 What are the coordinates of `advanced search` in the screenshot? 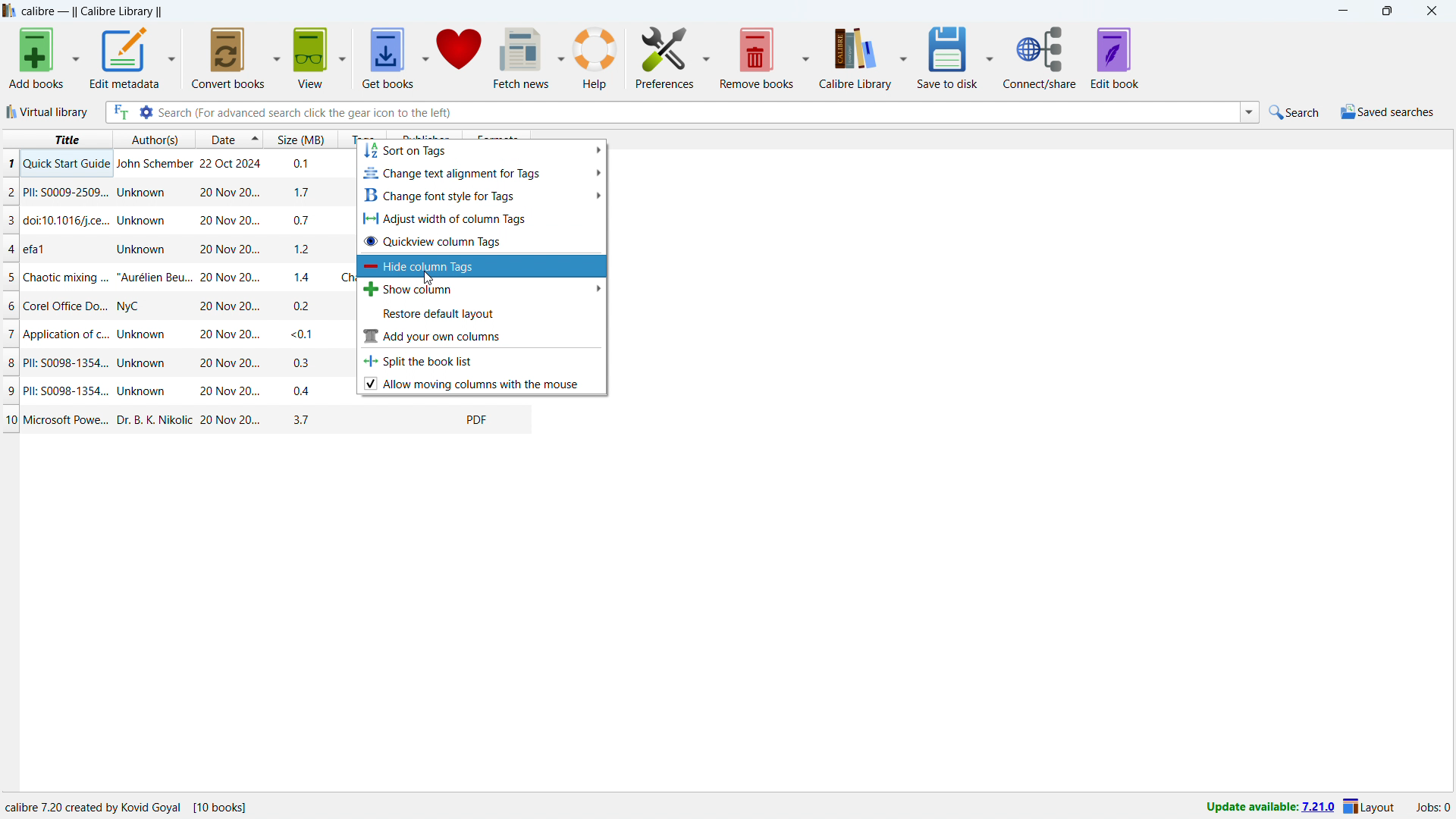 It's located at (146, 112).